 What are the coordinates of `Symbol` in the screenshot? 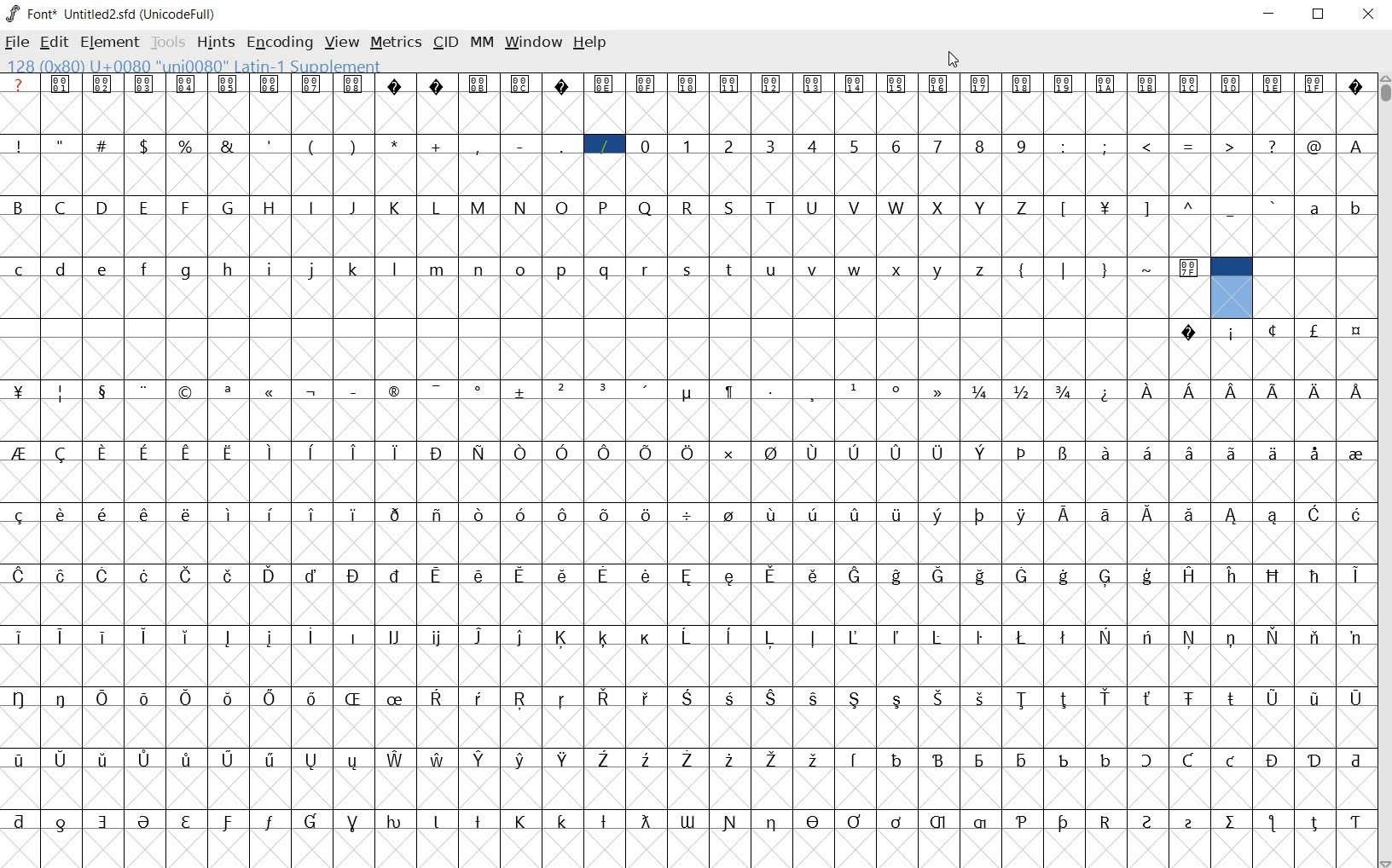 It's located at (1107, 453).